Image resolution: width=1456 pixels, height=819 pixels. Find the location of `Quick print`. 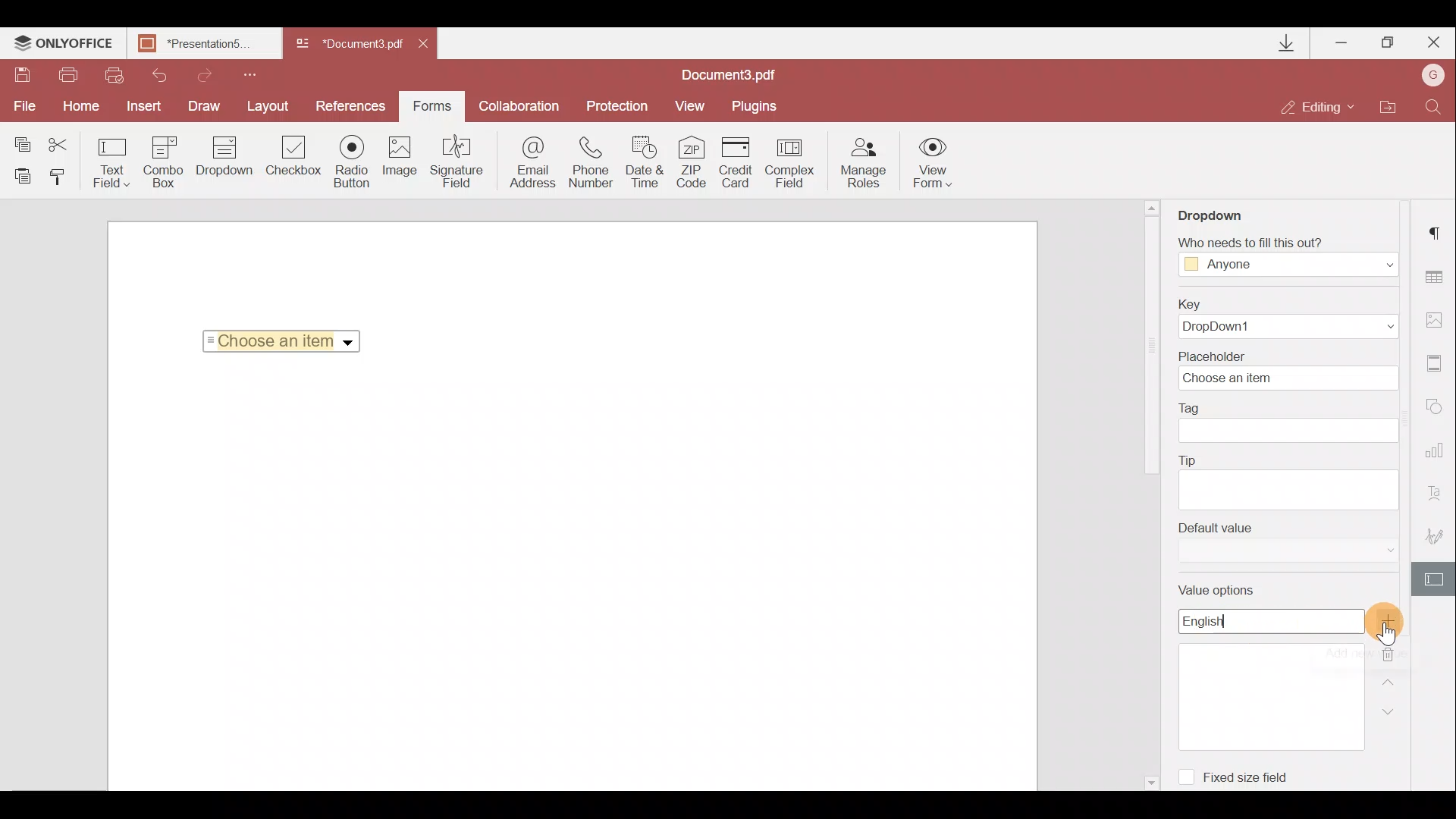

Quick print is located at coordinates (112, 74).